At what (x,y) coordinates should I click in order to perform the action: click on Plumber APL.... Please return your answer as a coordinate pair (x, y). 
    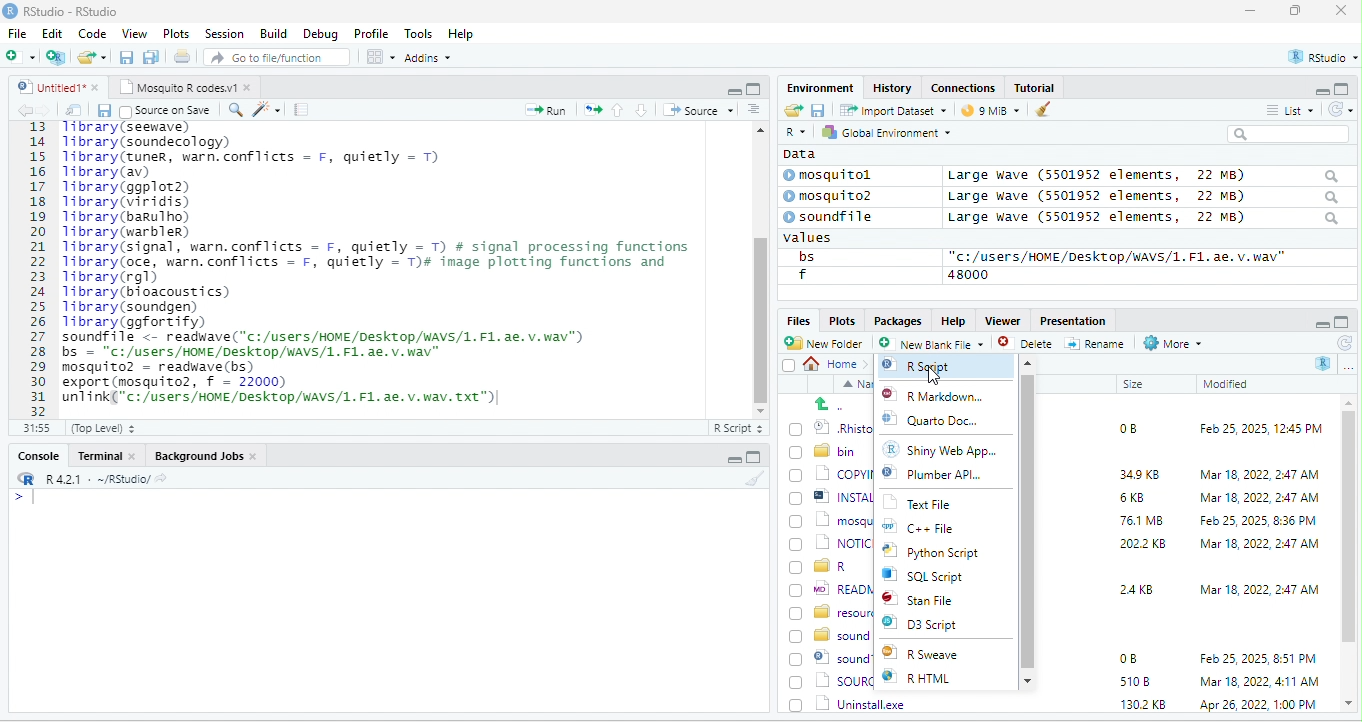
    Looking at the image, I should click on (948, 479).